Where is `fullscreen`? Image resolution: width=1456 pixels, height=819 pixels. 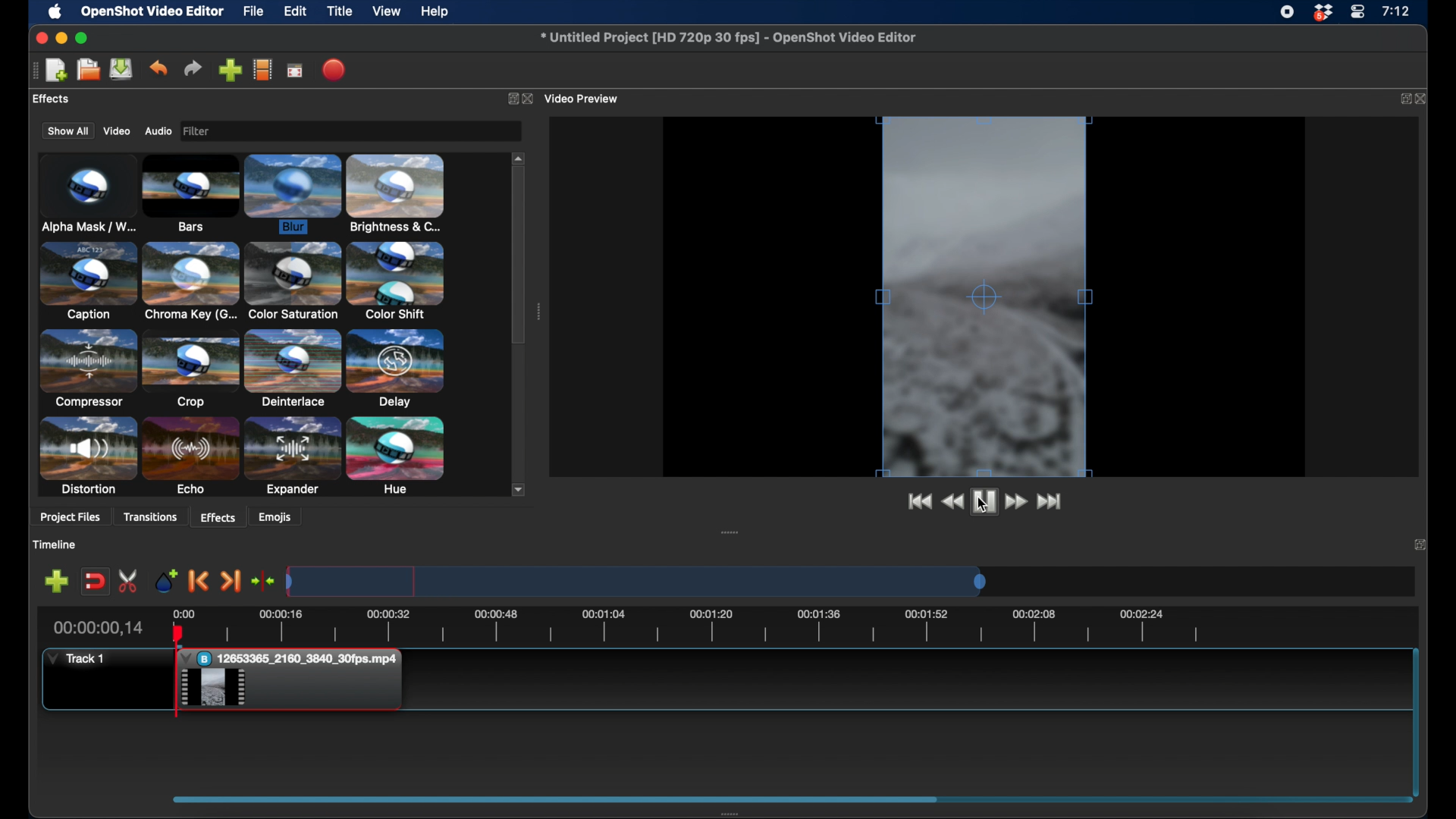 fullscreen is located at coordinates (296, 70).